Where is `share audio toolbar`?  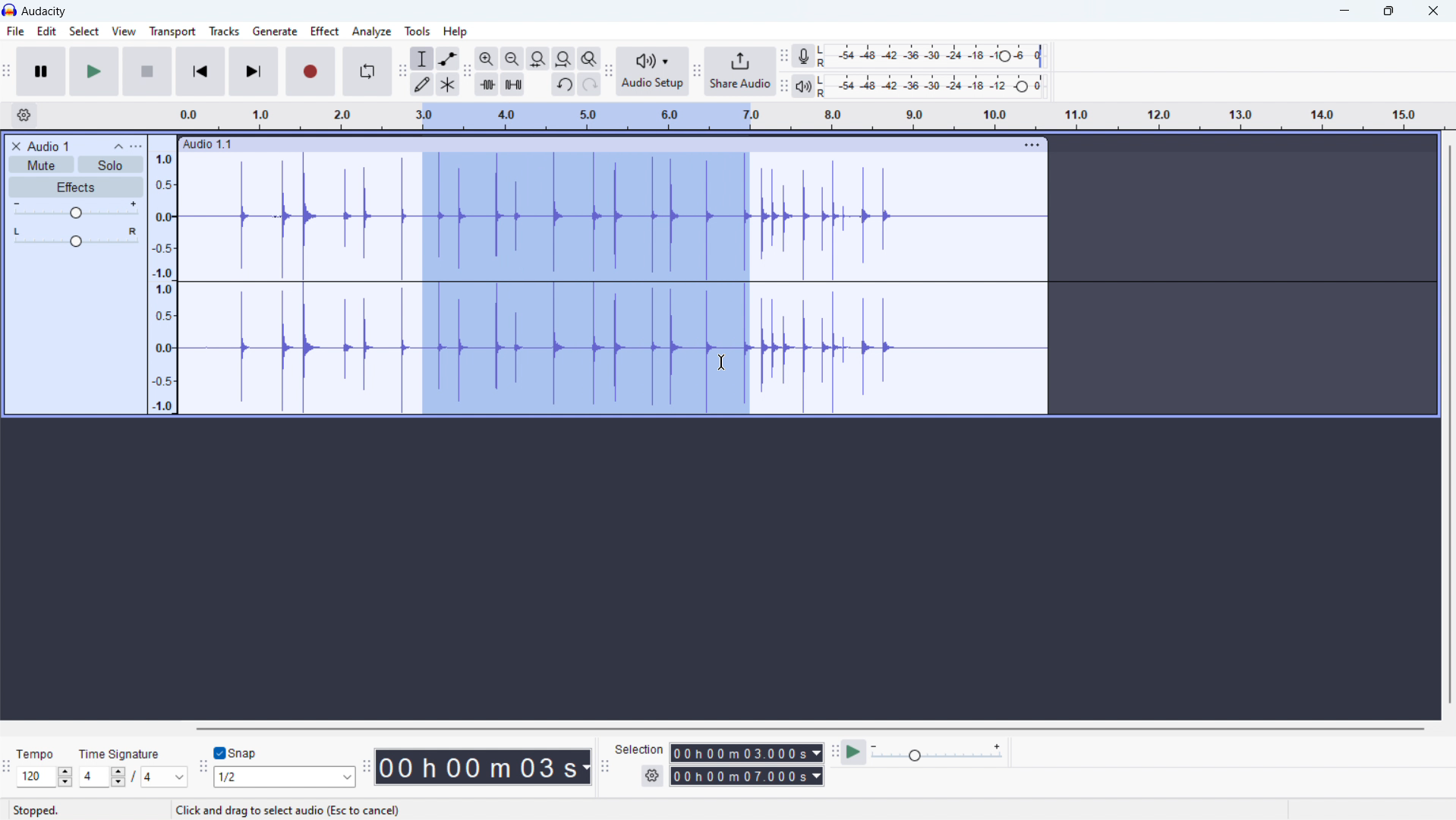
share audio toolbar is located at coordinates (697, 71).